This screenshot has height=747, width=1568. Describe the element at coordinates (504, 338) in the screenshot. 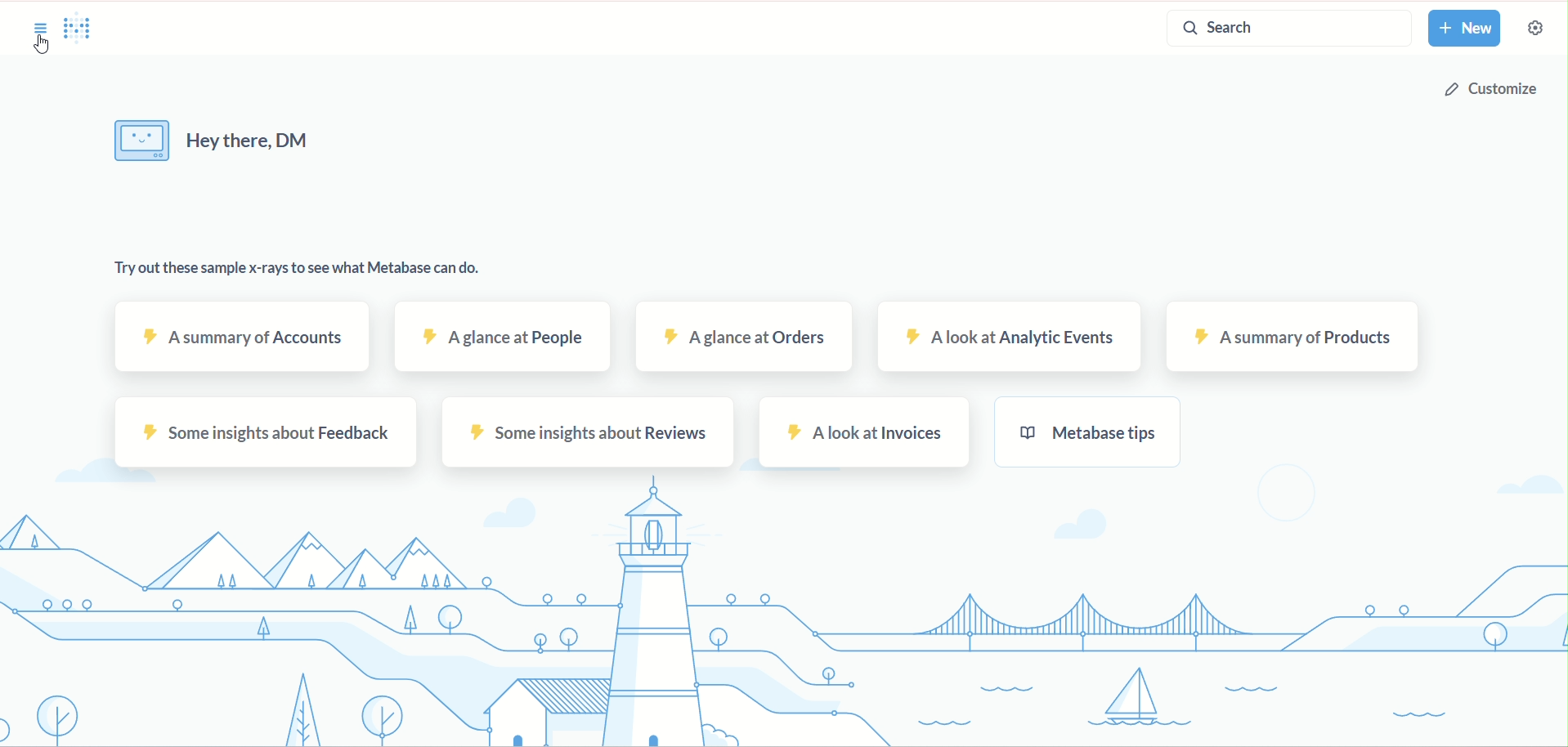

I see `A glance at people` at that location.